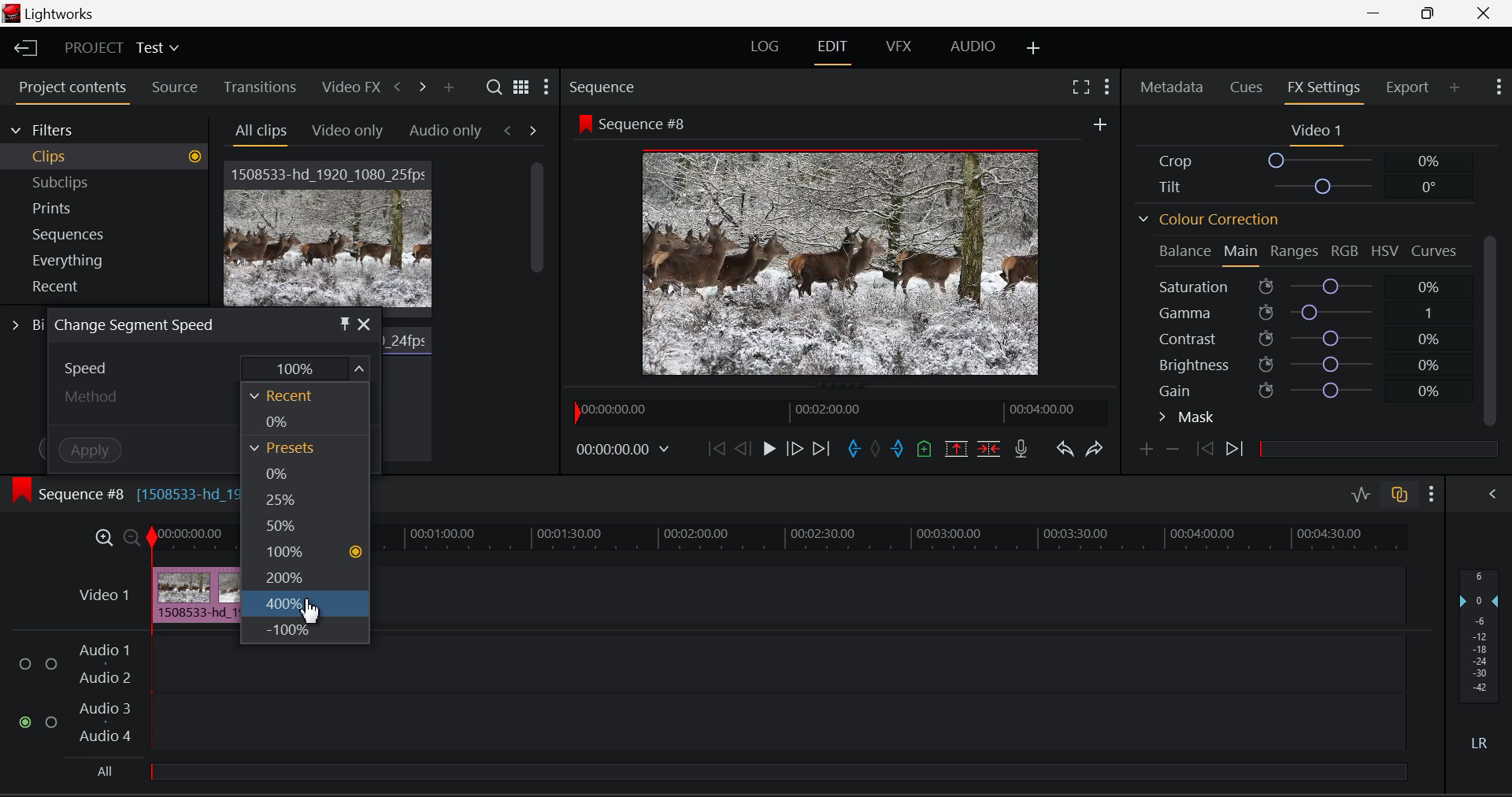  I want to click on Export, so click(1408, 89).